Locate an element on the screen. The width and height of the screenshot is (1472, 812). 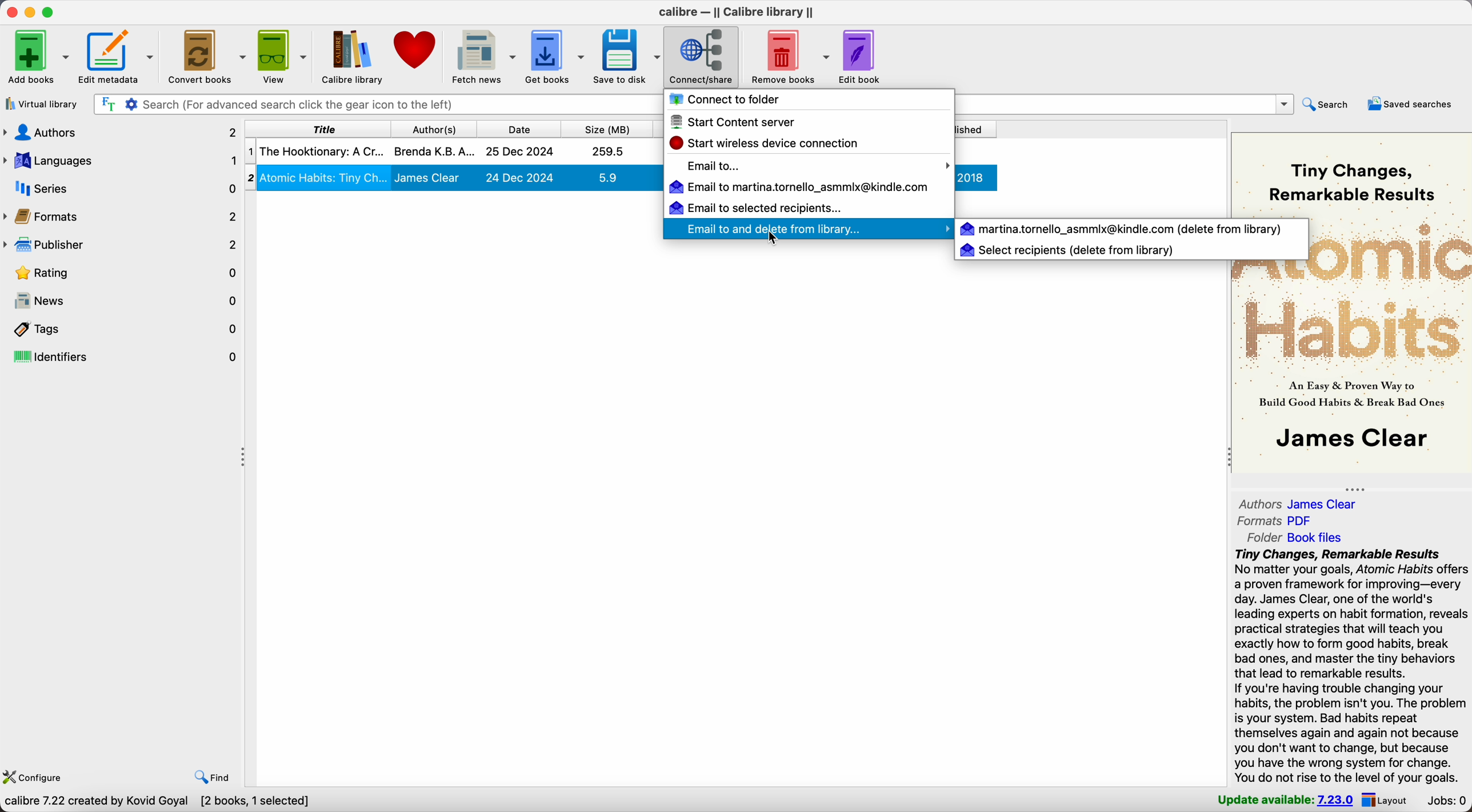
25 Dec 2024 is located at coordinates (520, 152).